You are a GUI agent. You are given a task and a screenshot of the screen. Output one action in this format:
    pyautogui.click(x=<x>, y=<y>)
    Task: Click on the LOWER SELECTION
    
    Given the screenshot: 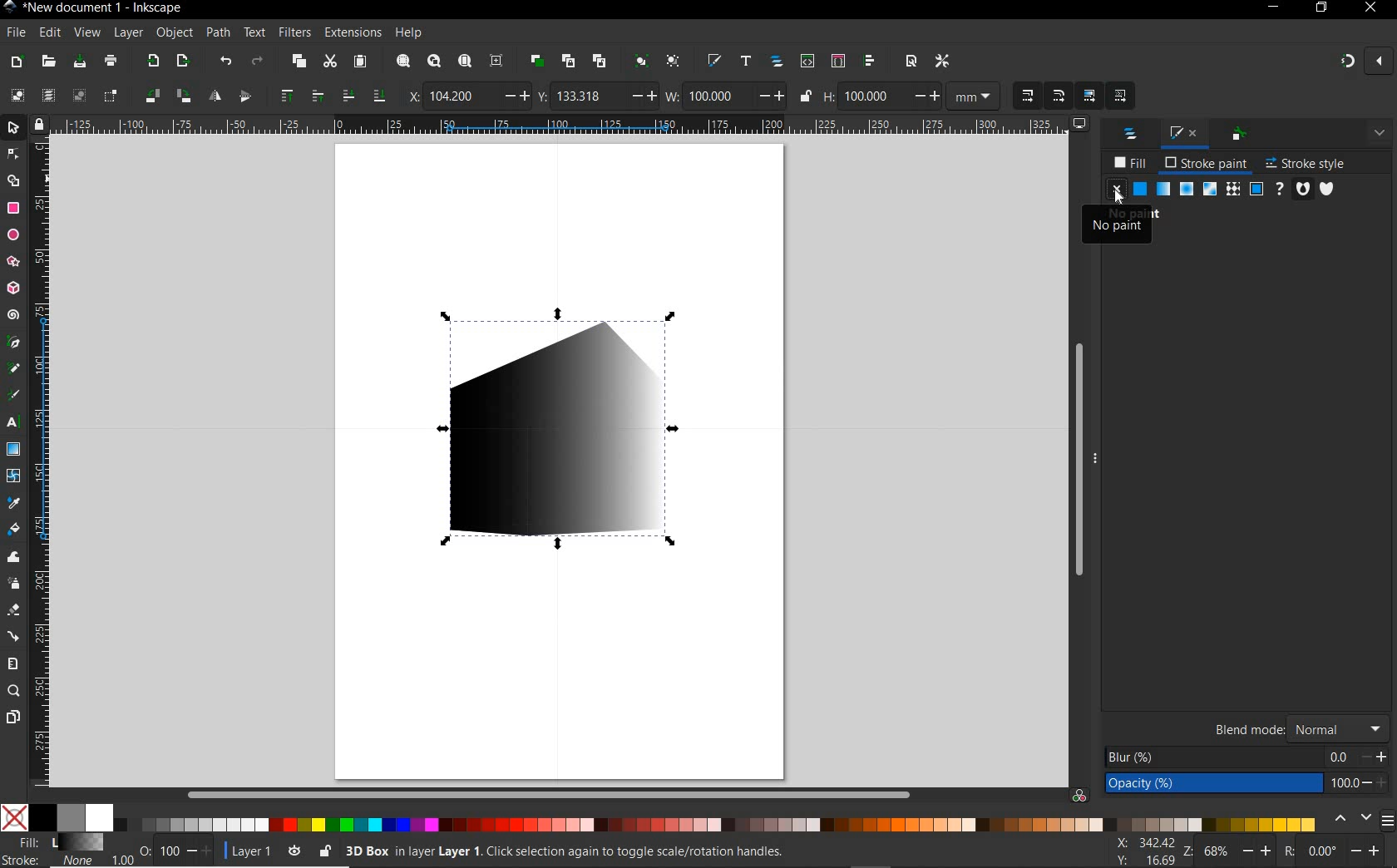 What is the action you would take?
    pyautogui.click(x=347, y=94)
    